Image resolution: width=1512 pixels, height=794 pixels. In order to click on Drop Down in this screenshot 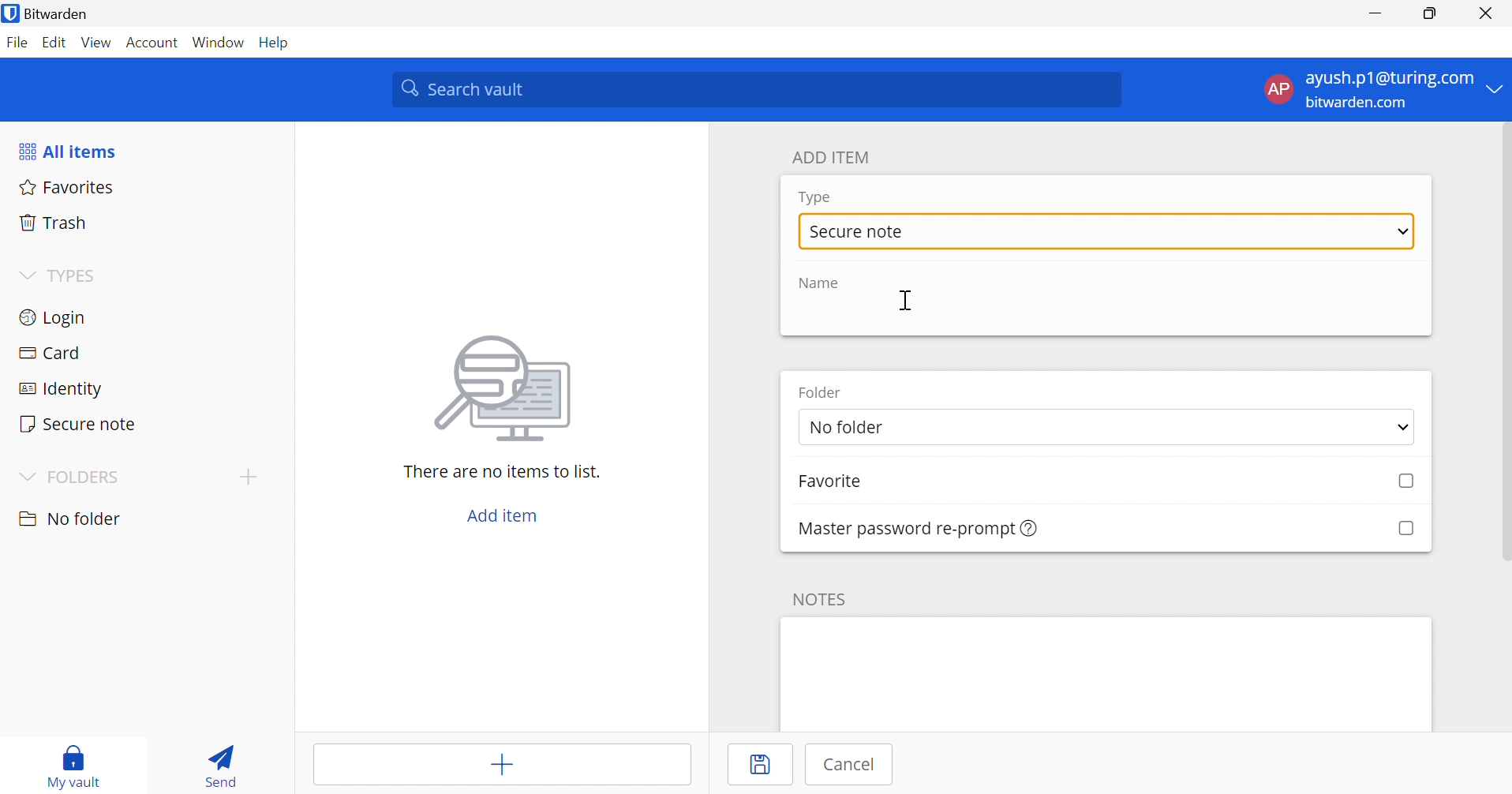, I will do `click(1496, 90)`.